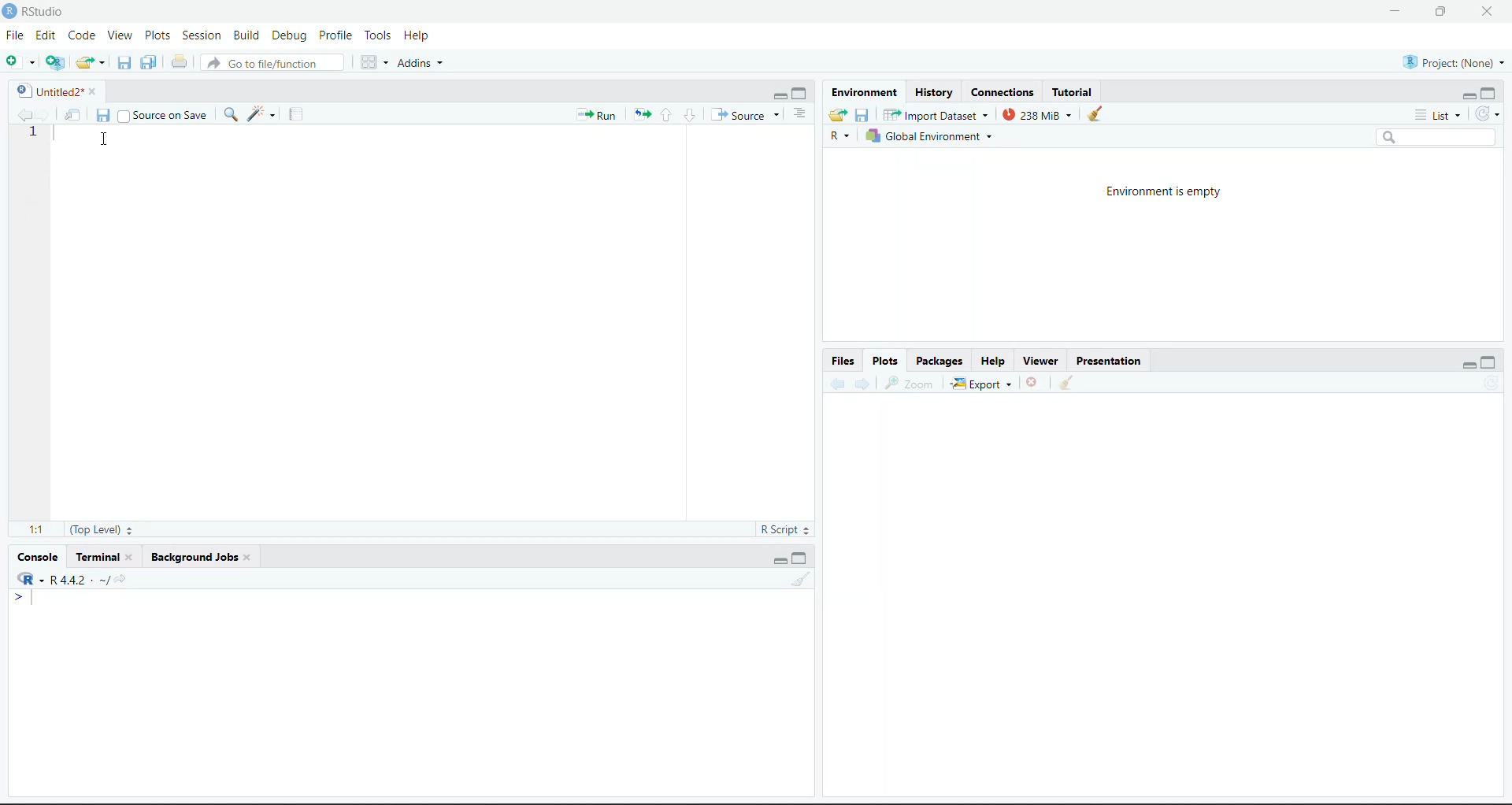 This screenshot has width=1512, height=805. I want to click on Zoom, so click(911, 384).